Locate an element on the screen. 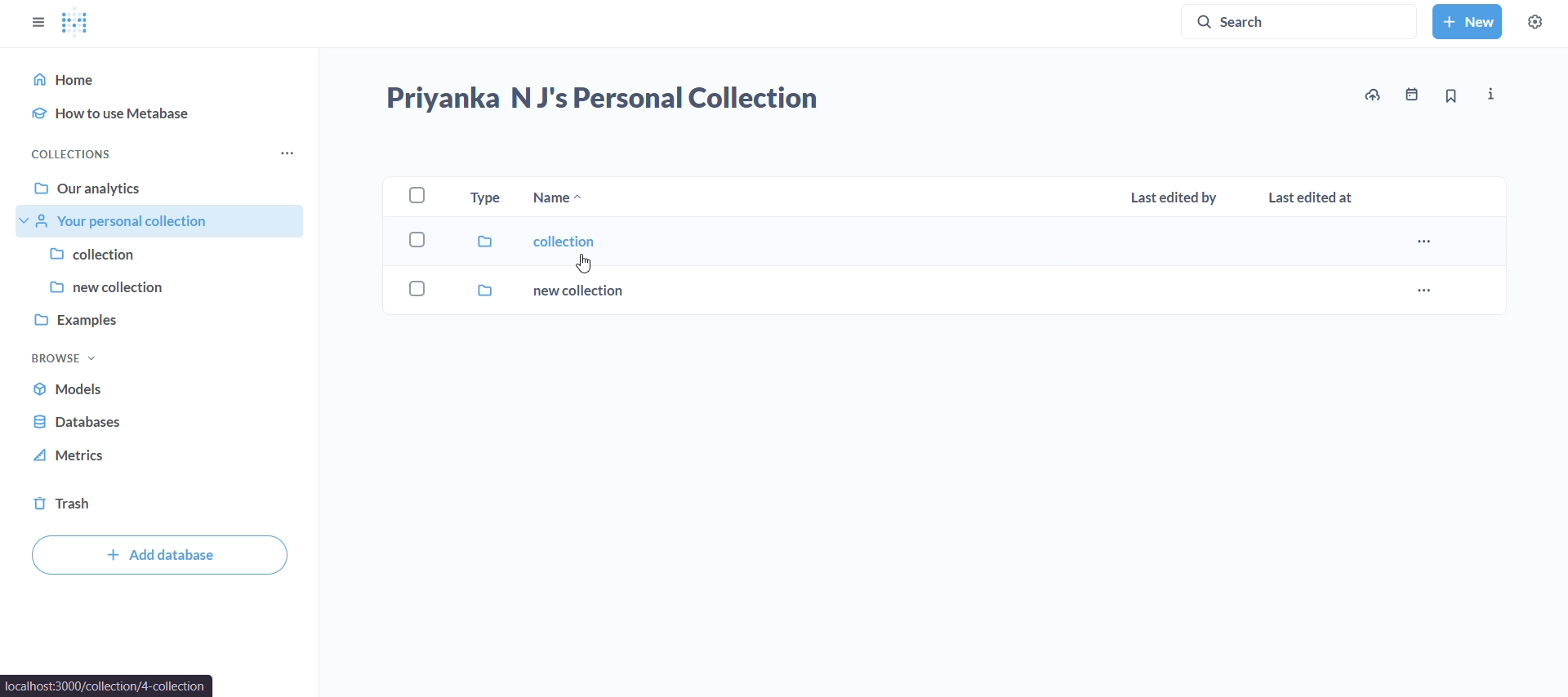 This screenshot has height=697, width=1568. localhost:3000/collection/4-collection | is located at coordinates (108, 686).